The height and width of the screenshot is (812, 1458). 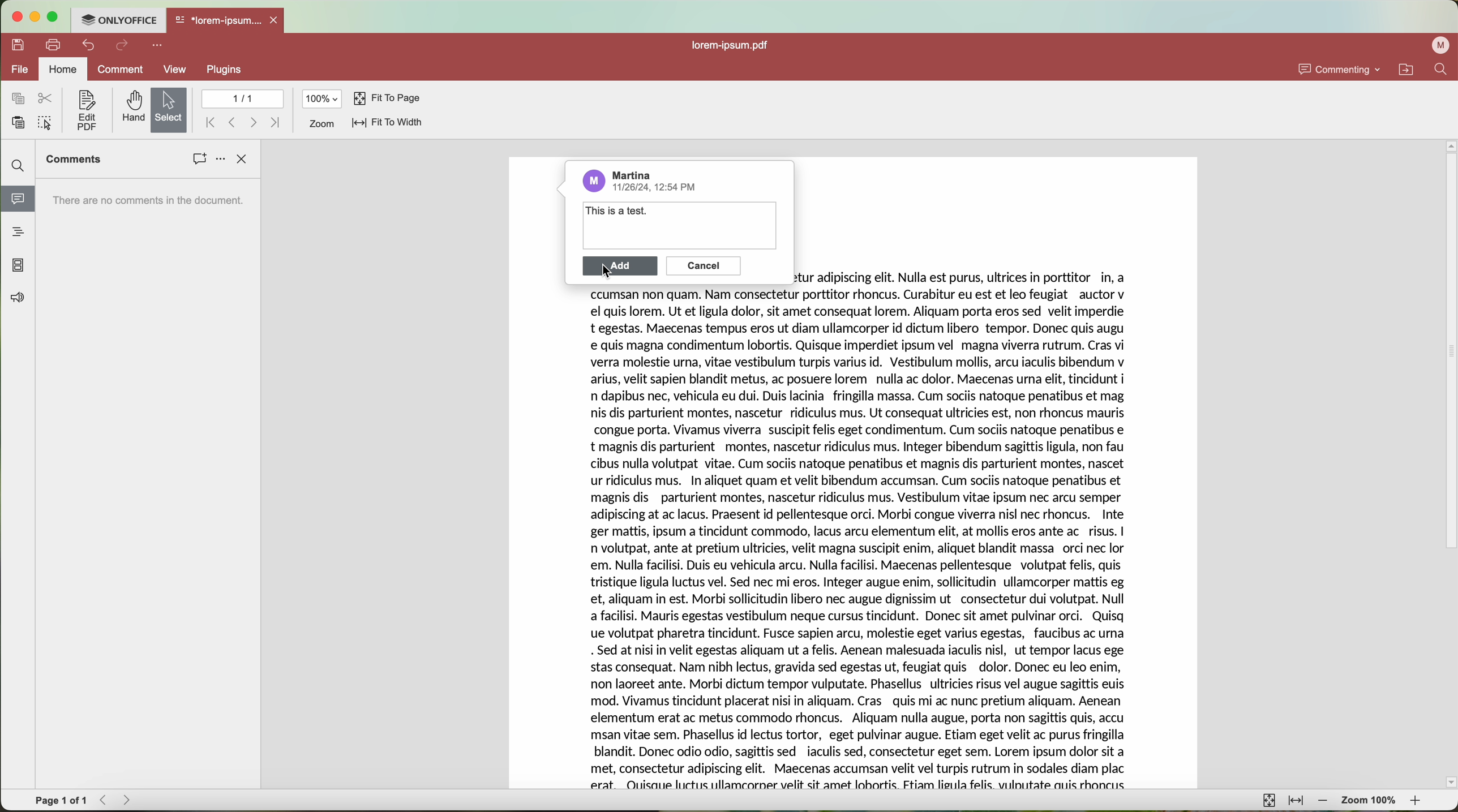 What do you see at coordinates (61, 799) in the screenshot?
I see `page 1 of 1` at bounding box center [61, 799].